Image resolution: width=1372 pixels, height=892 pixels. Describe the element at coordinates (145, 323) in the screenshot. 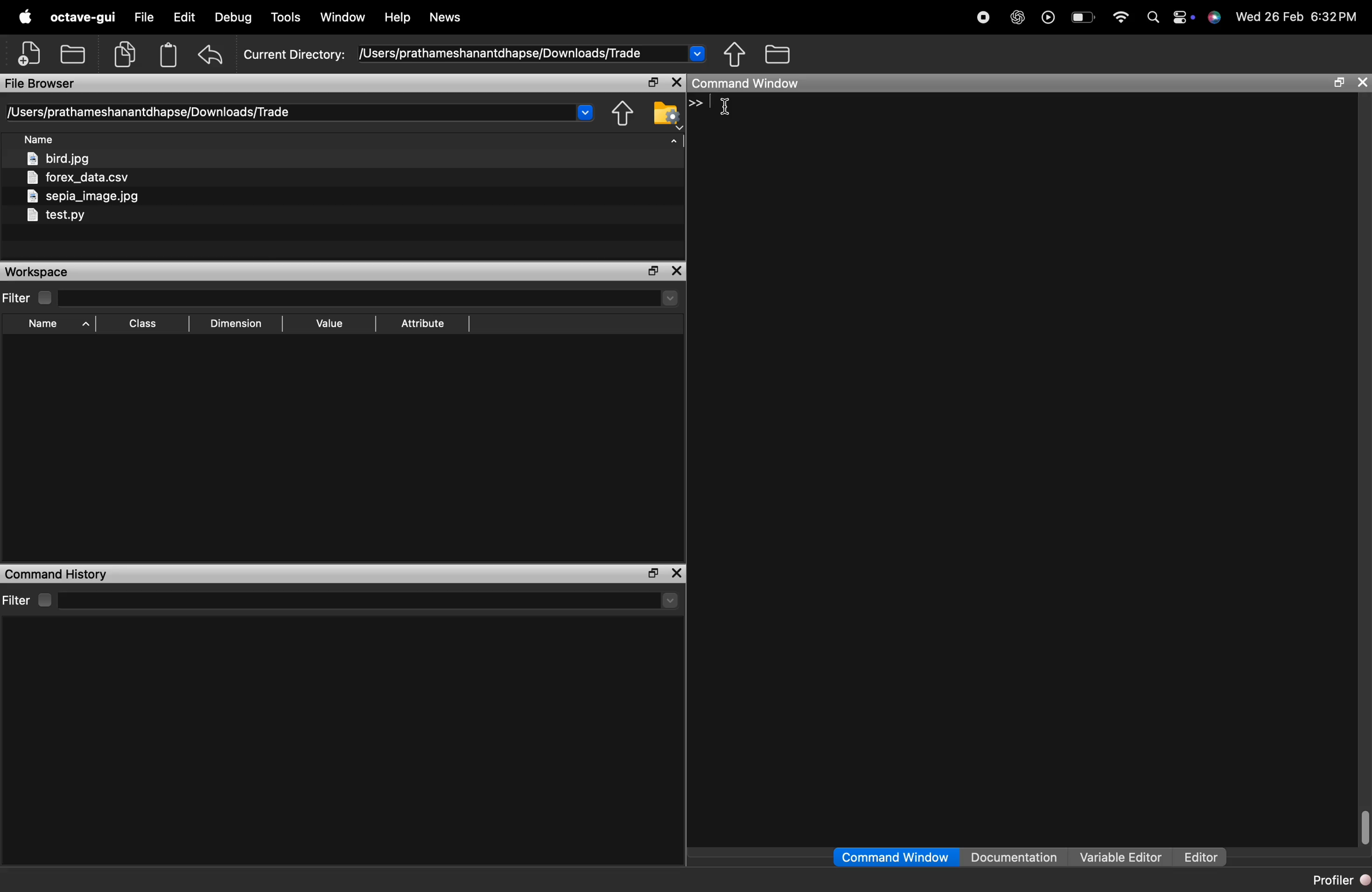

I see `sort by class` at that location.